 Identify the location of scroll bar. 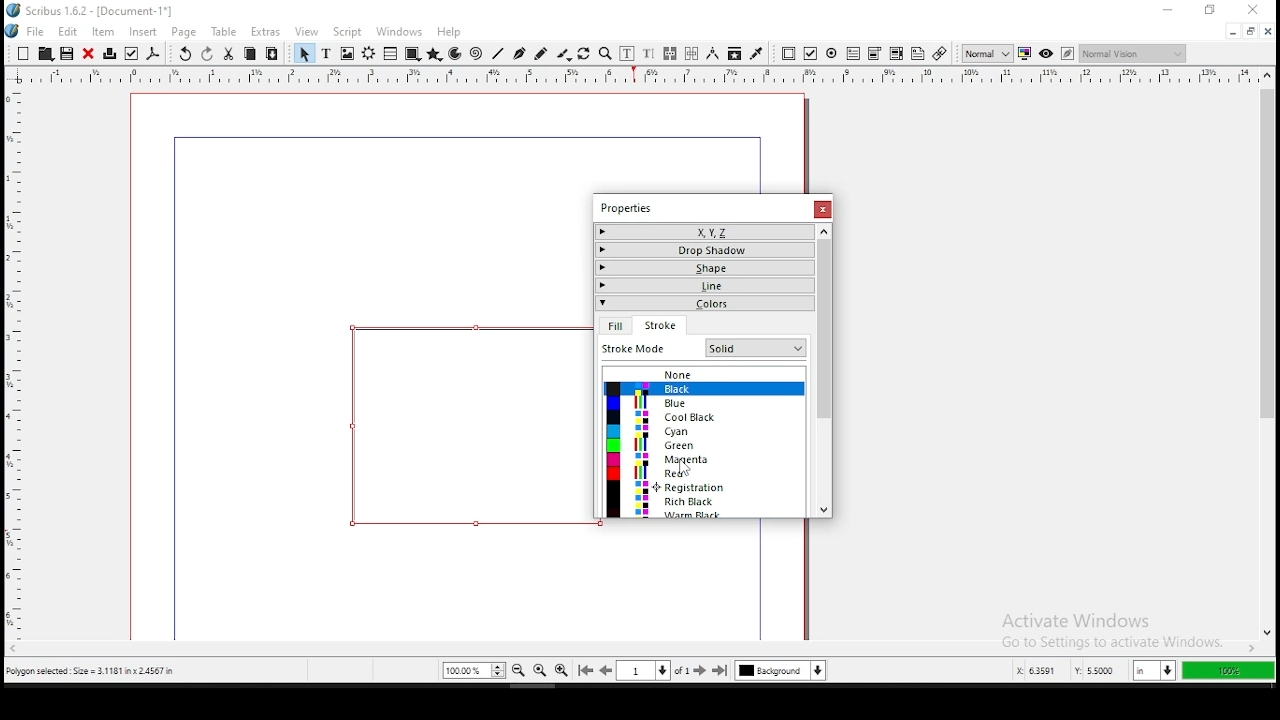
(632, 650).